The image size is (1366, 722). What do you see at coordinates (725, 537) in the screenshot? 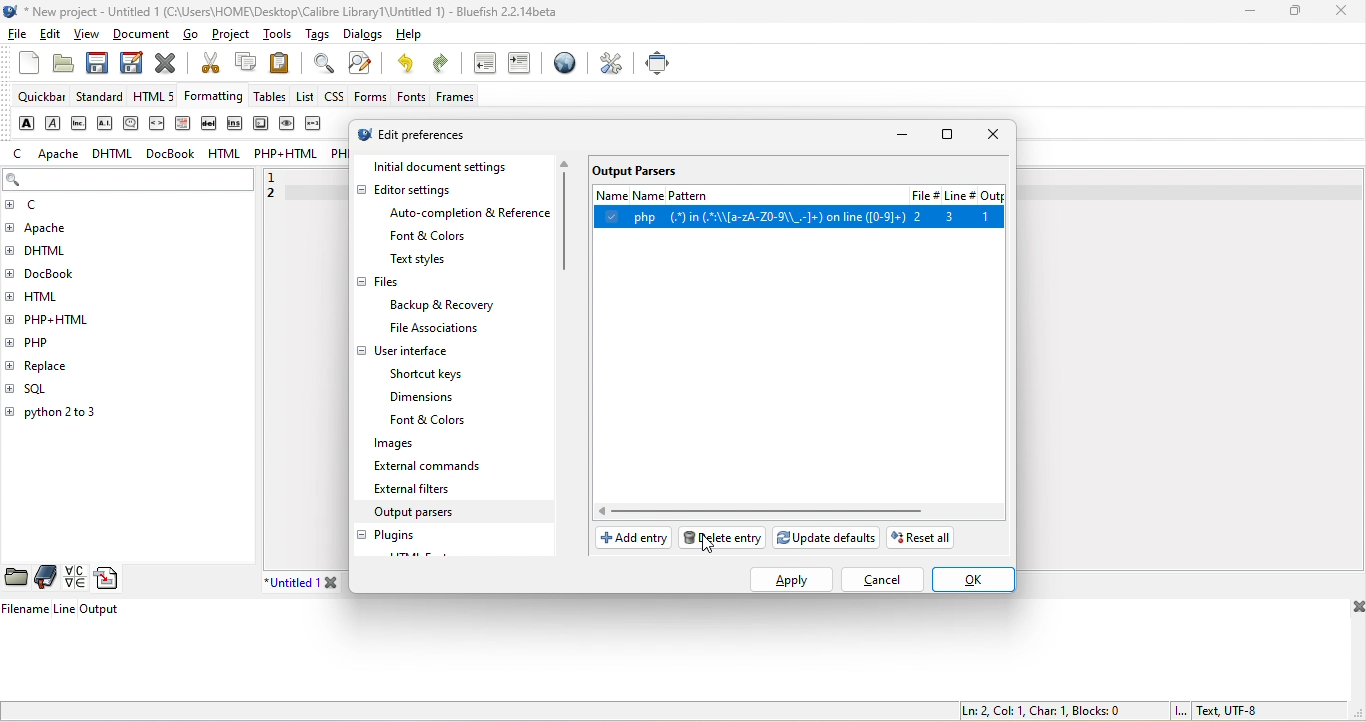
I see `delete pattern` at bounding box center [725, 537].